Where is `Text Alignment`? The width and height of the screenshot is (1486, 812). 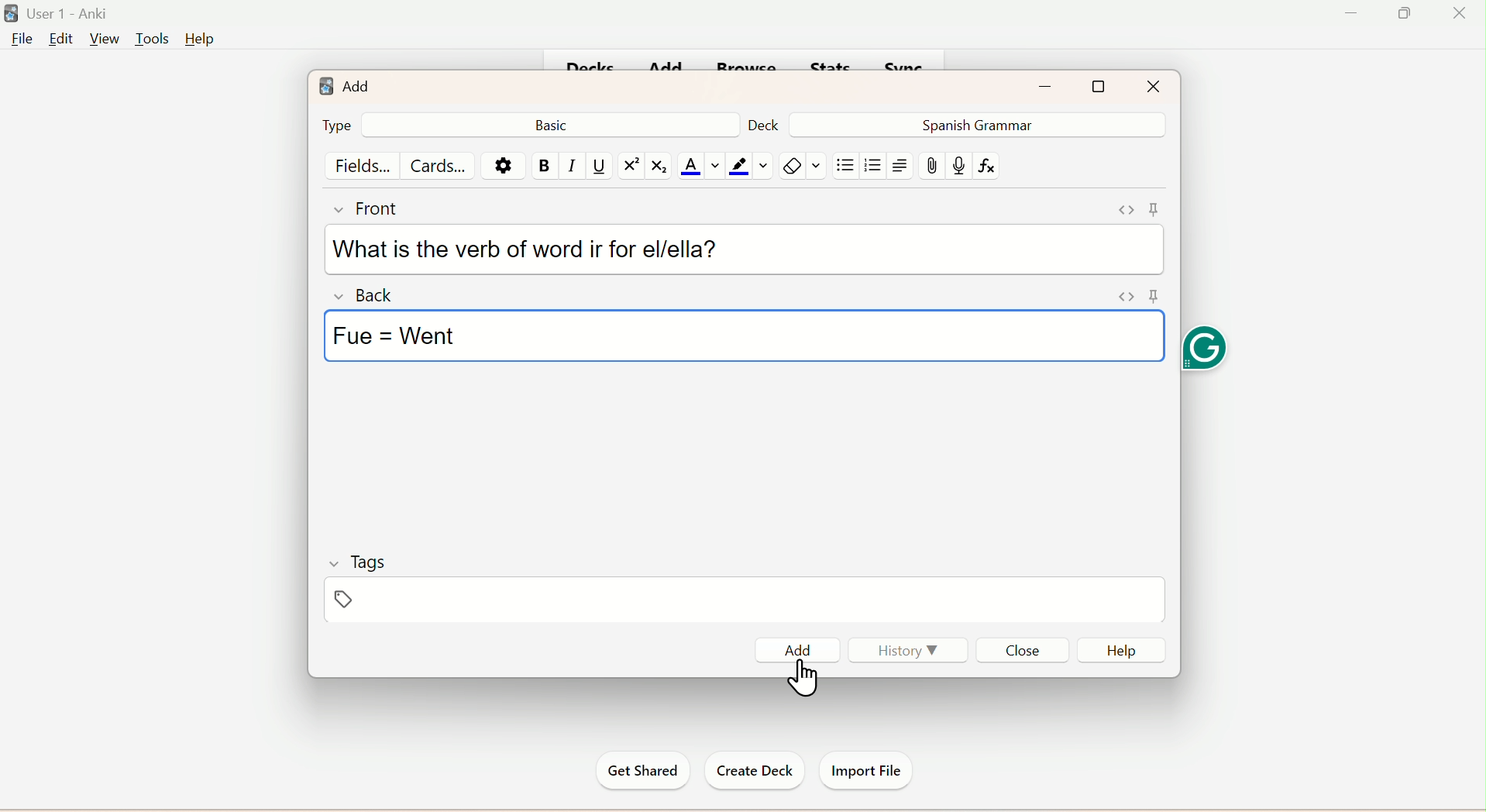 Text Alignment is located at coordinates (900, 166).